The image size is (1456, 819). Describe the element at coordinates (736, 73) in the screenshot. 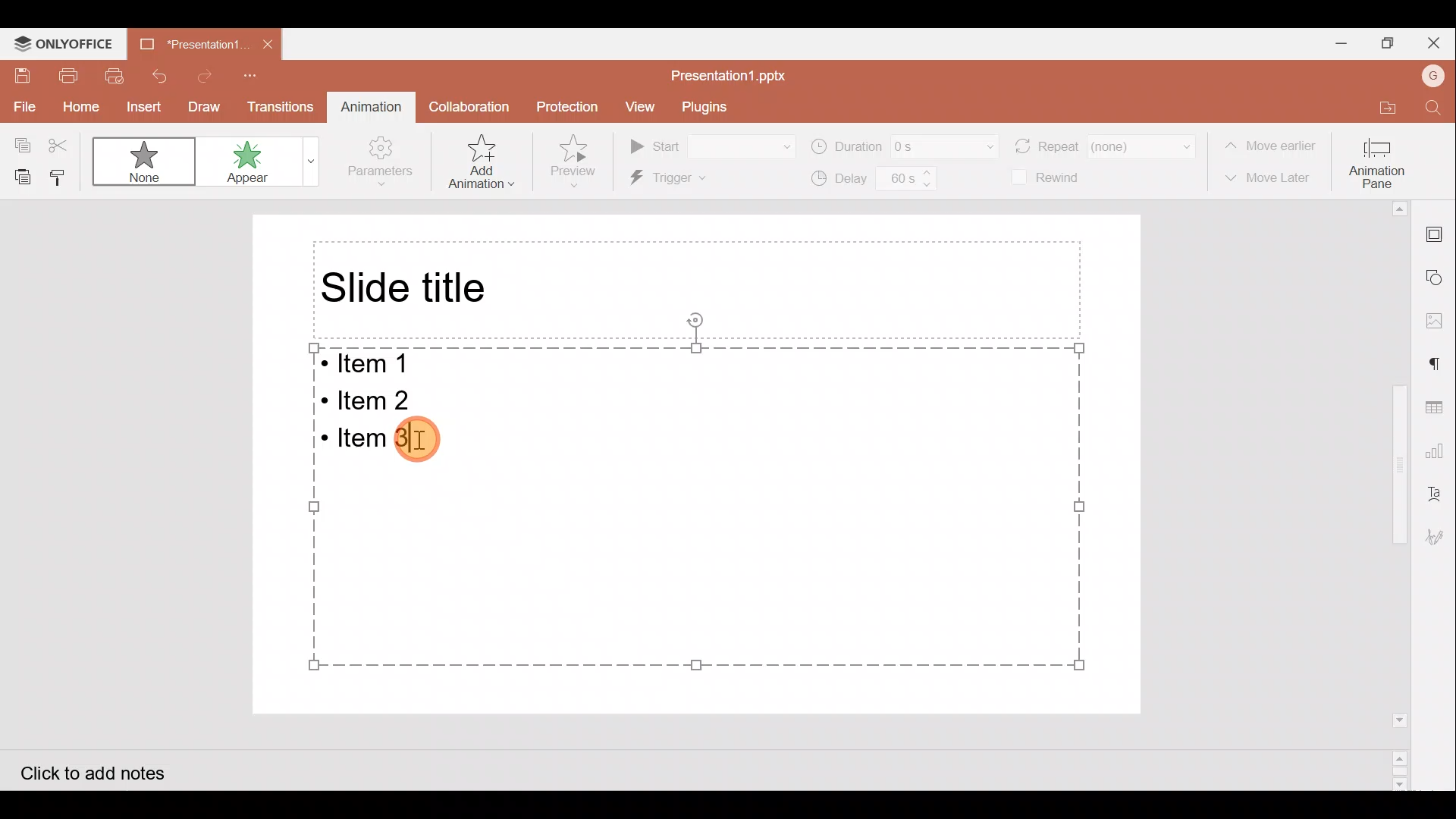

I see `Presentation1.pptx` at that location.